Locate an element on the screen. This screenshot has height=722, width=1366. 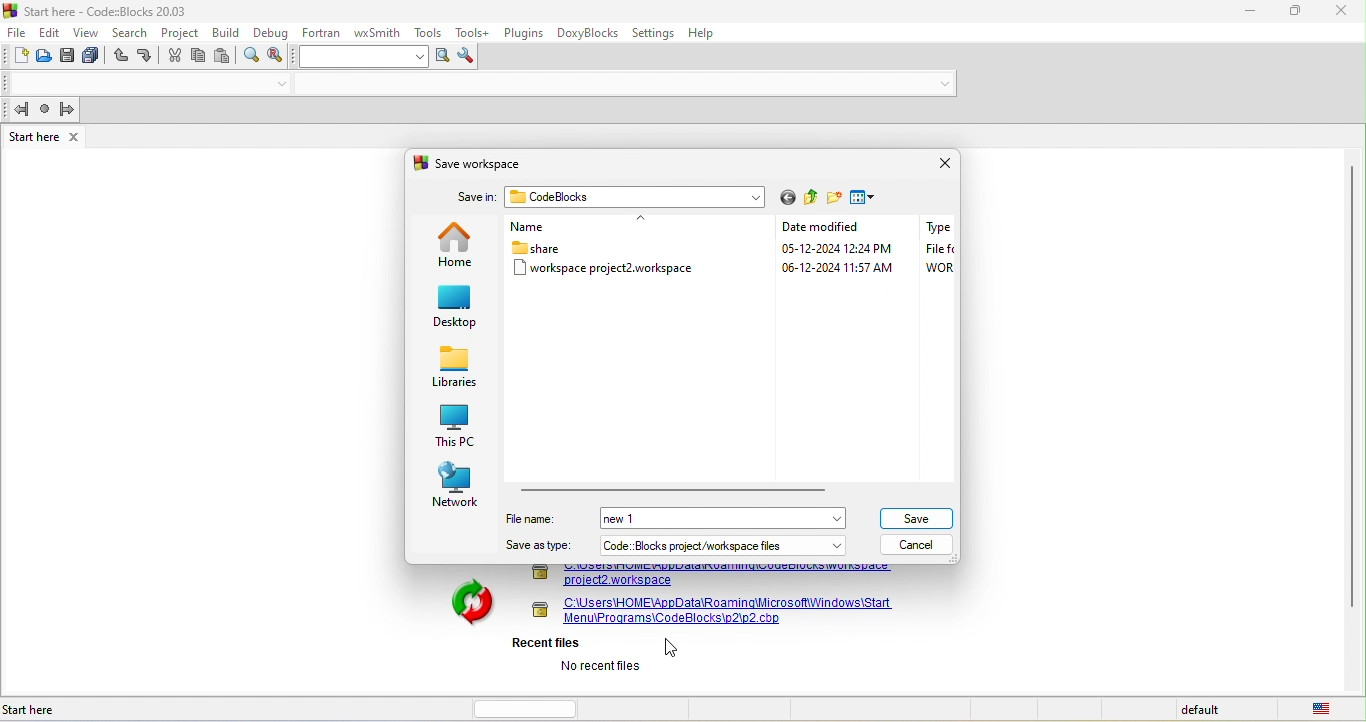
Date modified is located at coordinates (828, 228).